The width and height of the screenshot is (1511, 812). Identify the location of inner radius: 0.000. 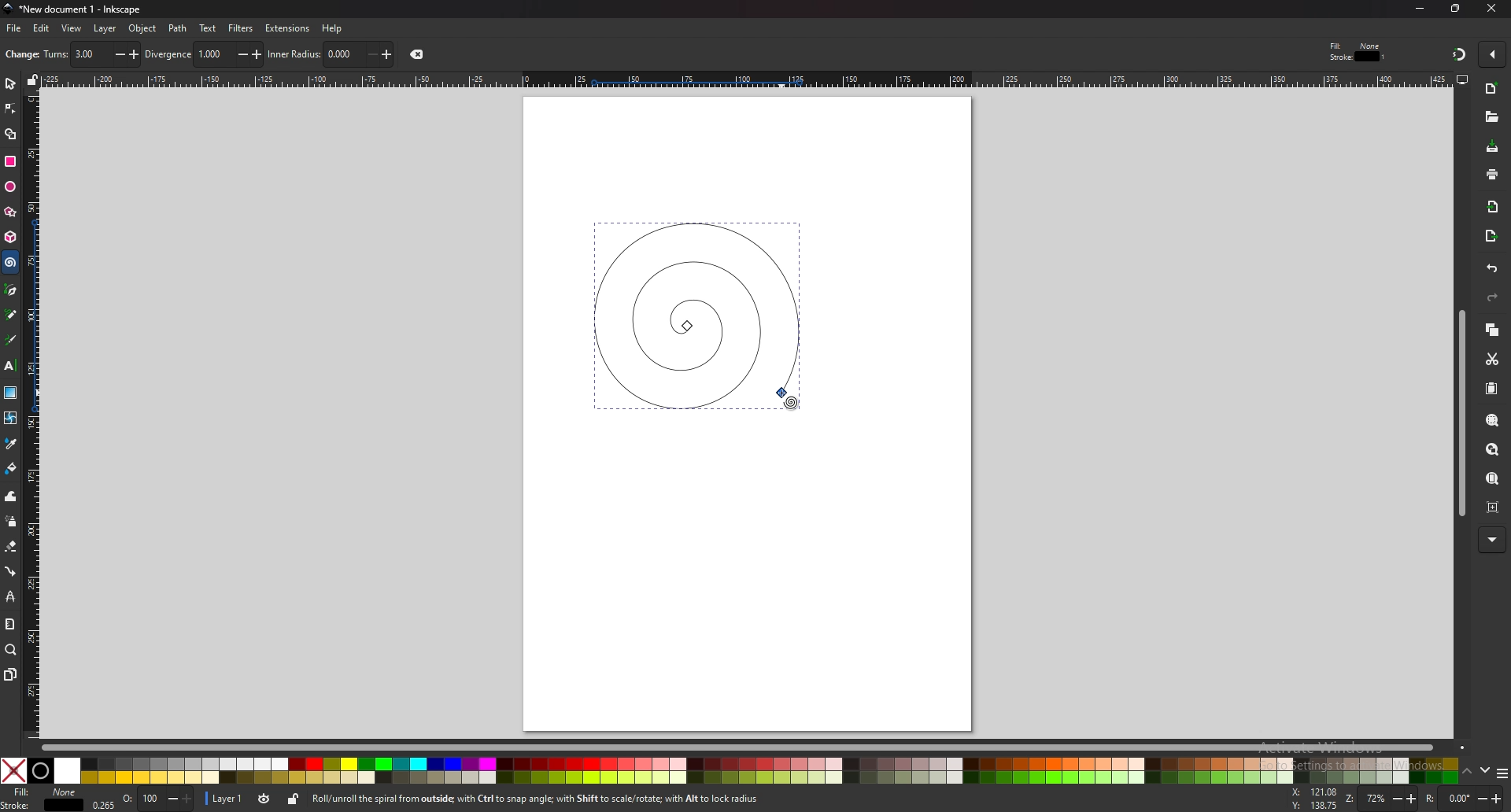
(331, 54).